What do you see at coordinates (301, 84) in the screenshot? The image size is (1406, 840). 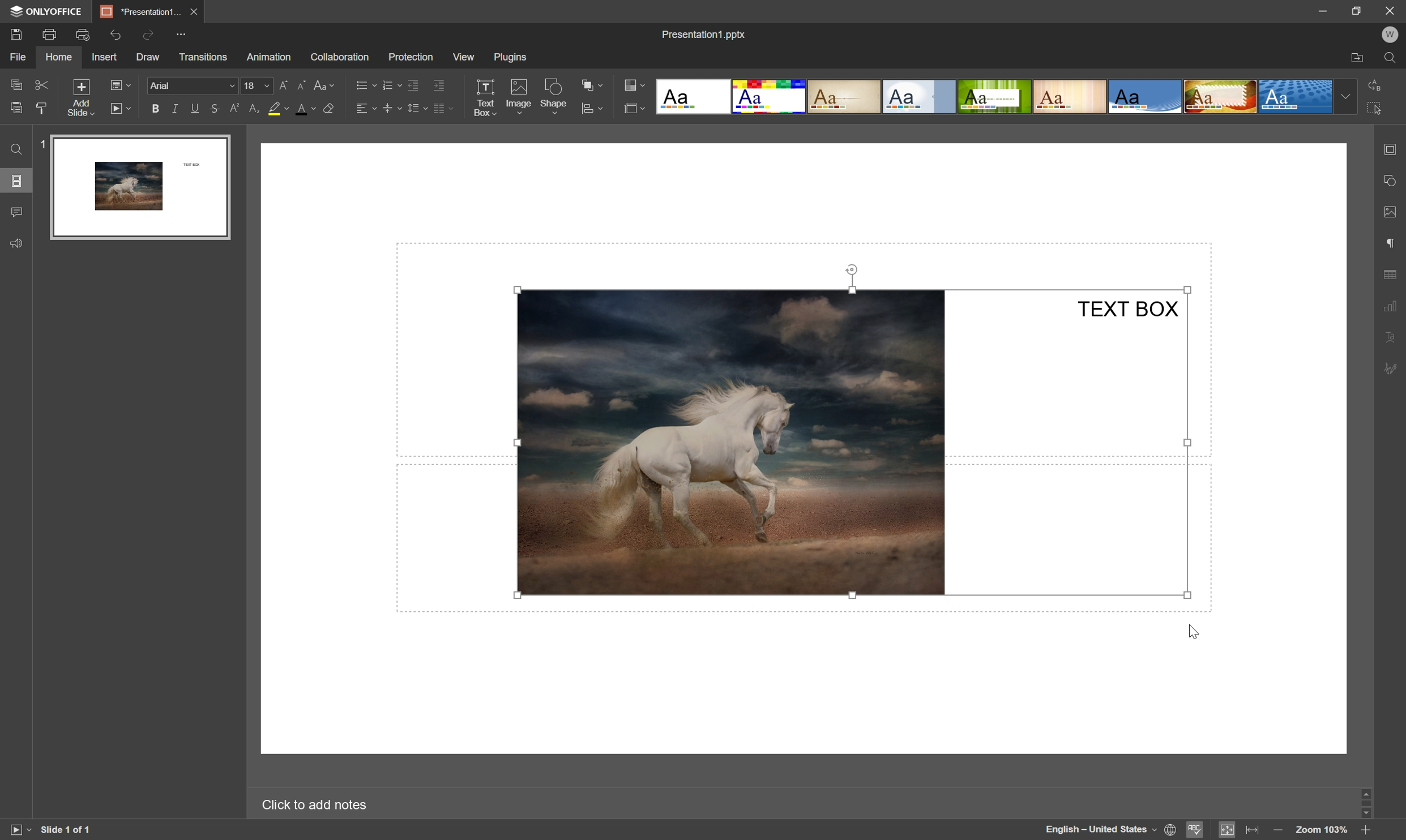 I see `decrement font size` at bounding box center [301, 84].